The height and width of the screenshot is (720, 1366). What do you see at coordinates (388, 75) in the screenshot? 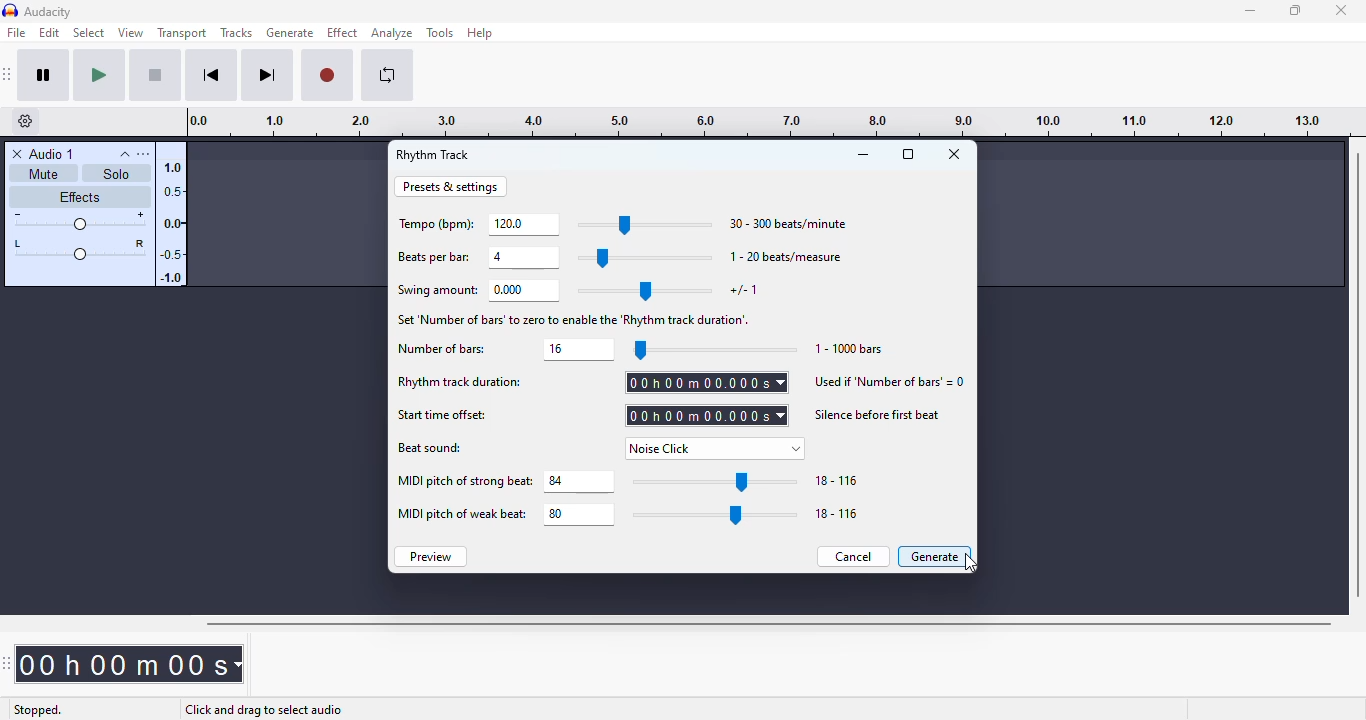
I see `enable looping` at bounding box center [388, 75].